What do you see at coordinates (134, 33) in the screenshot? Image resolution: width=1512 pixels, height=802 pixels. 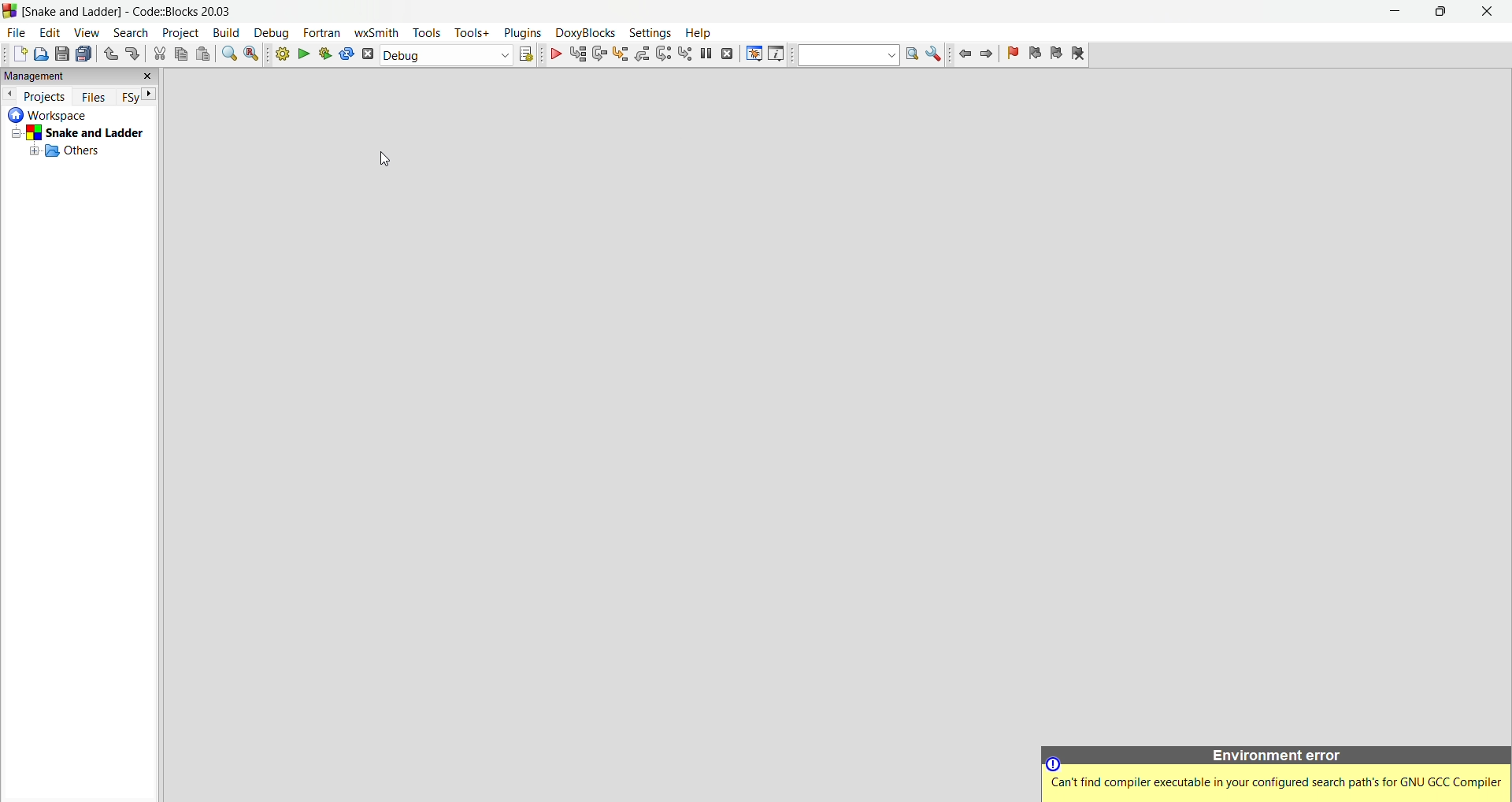 I see `search` at bounding box center [134, 33].